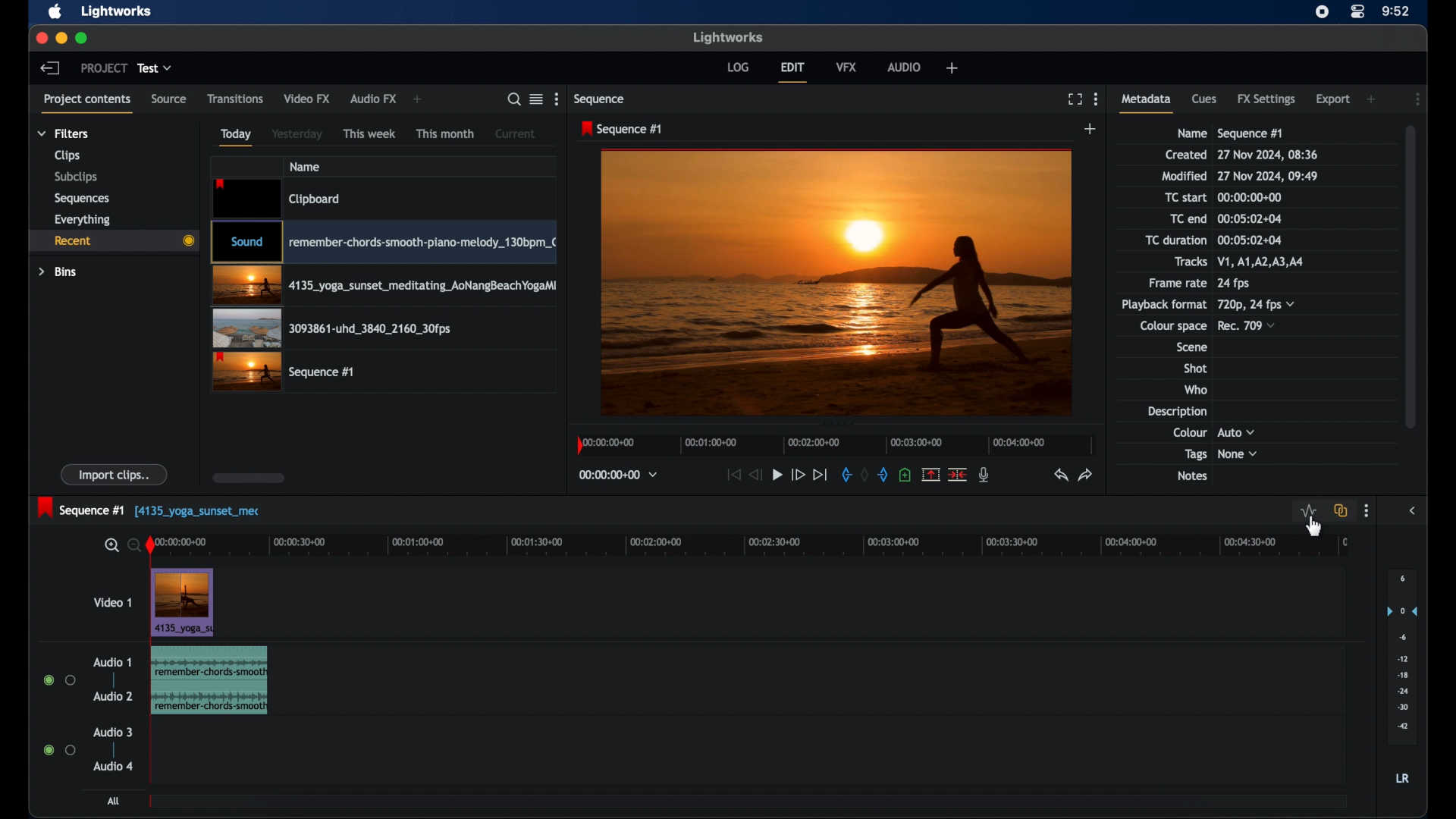  What do you see at coordinates (619, 475) in the screenshot?
I see `timecodes and reels` at bounding box center [619, 475].